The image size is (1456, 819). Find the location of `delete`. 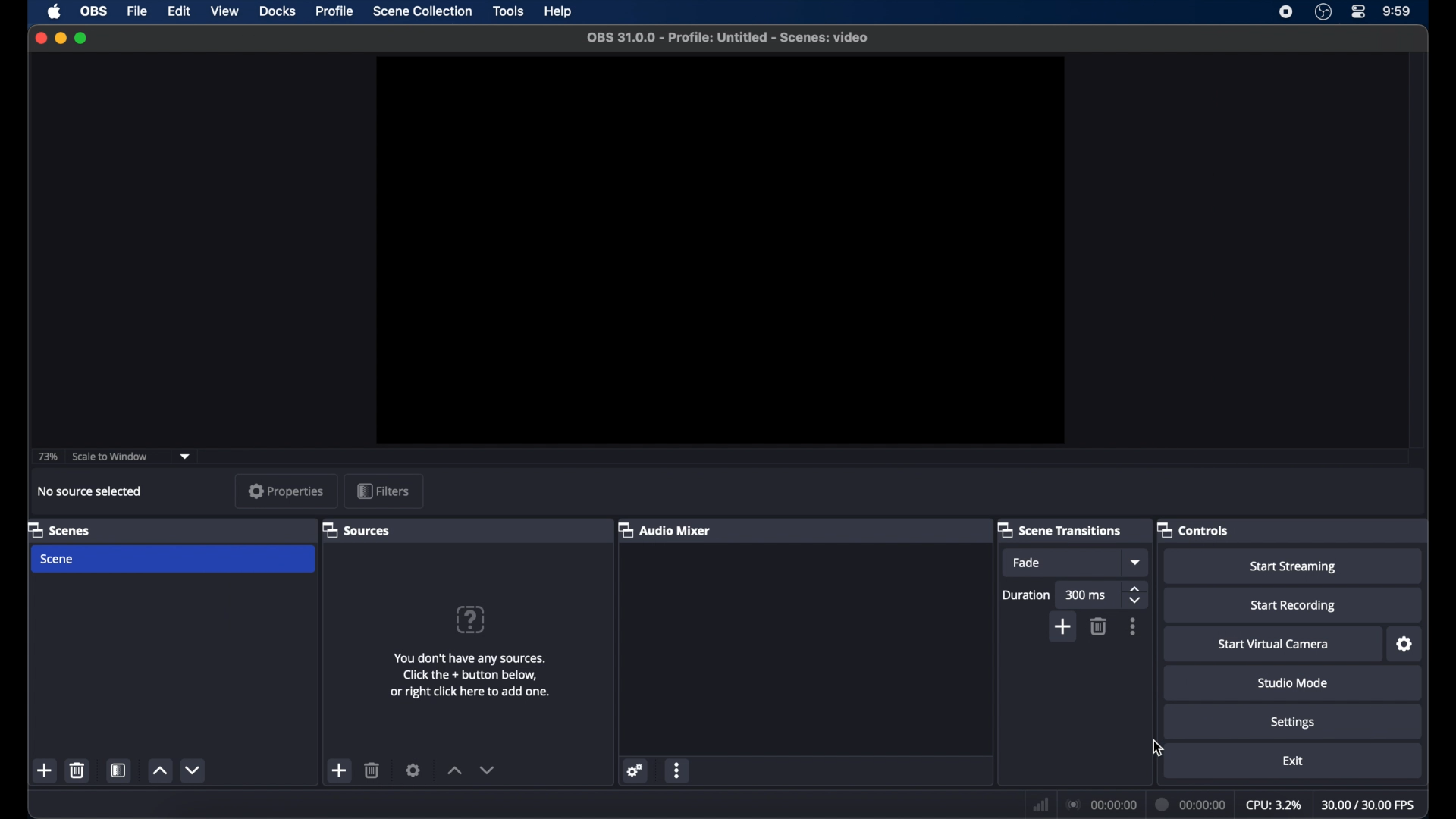

delete is located at coordinates (372, 770).